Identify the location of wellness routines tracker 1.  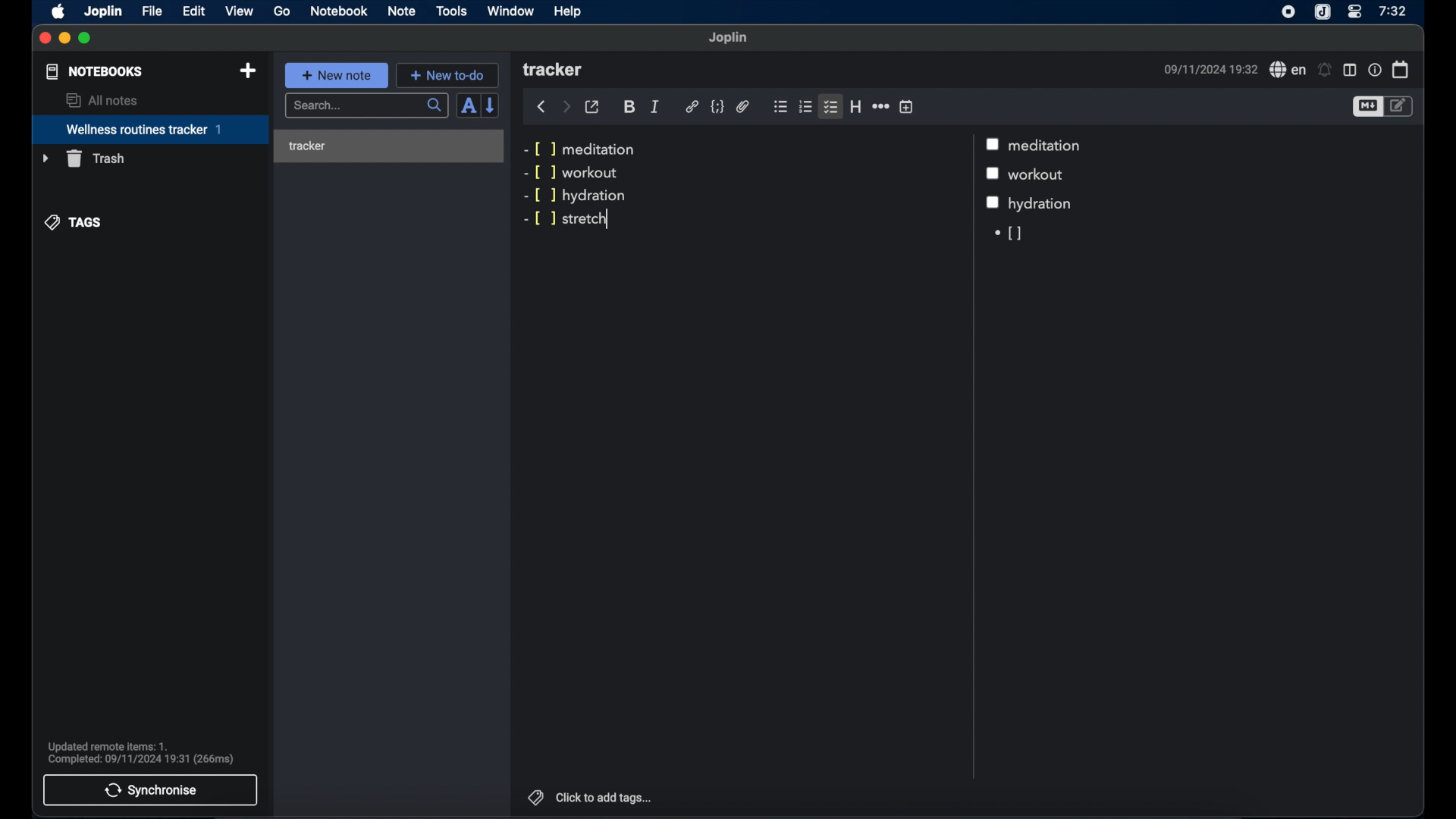
(149, 130).